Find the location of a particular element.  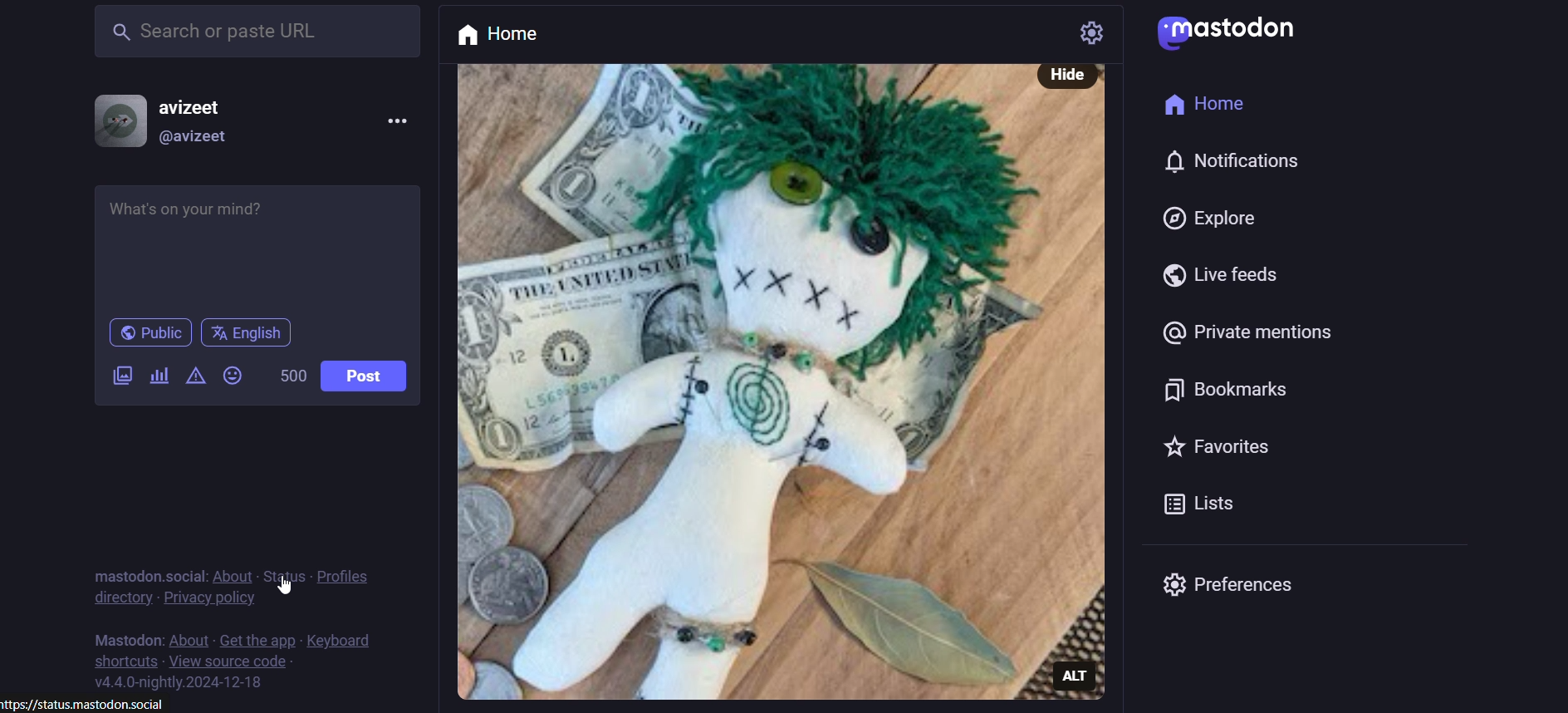

logo is located at coordinates (1229, 33).